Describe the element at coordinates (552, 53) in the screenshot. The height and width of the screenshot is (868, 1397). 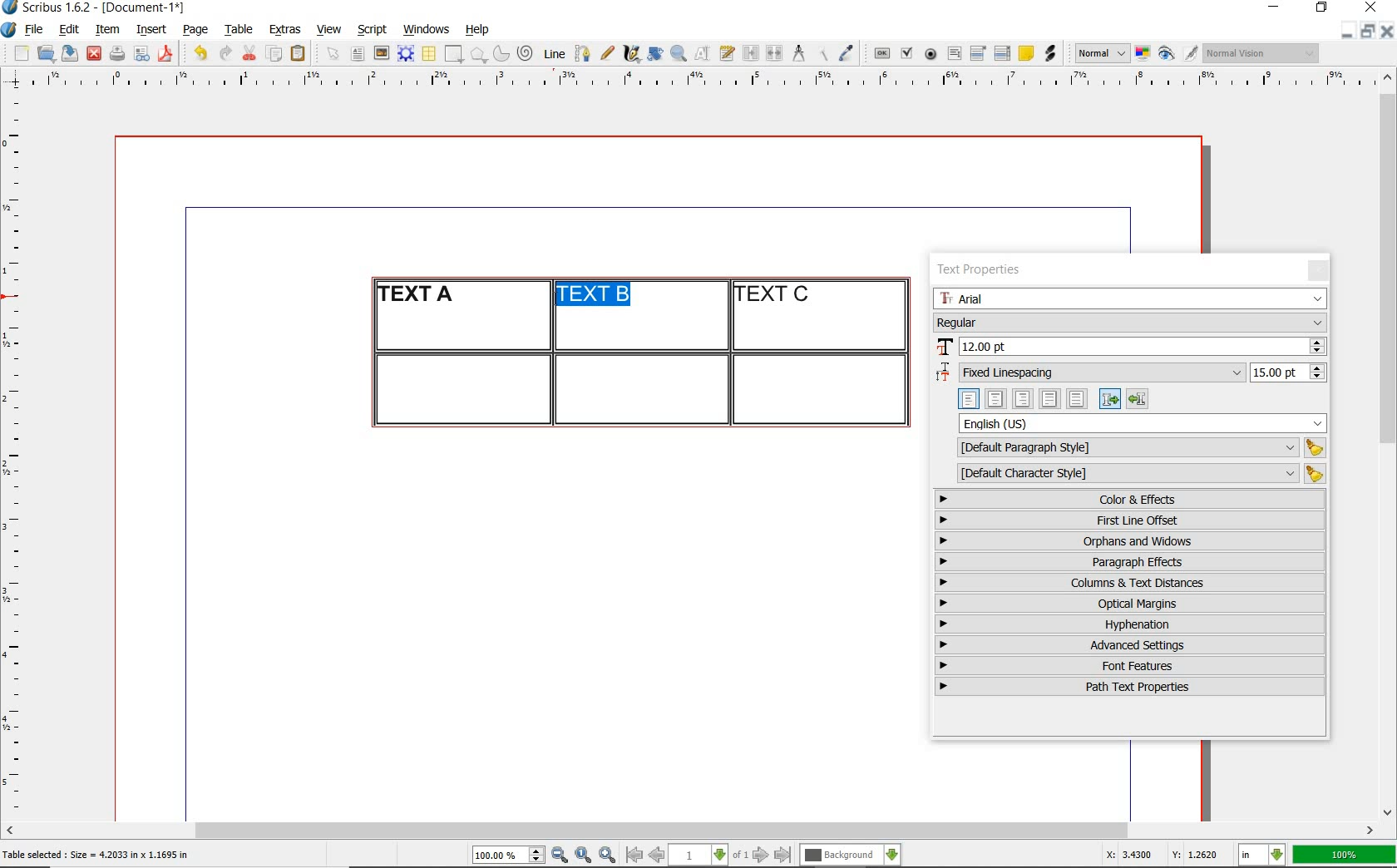
I see `line` at that location.